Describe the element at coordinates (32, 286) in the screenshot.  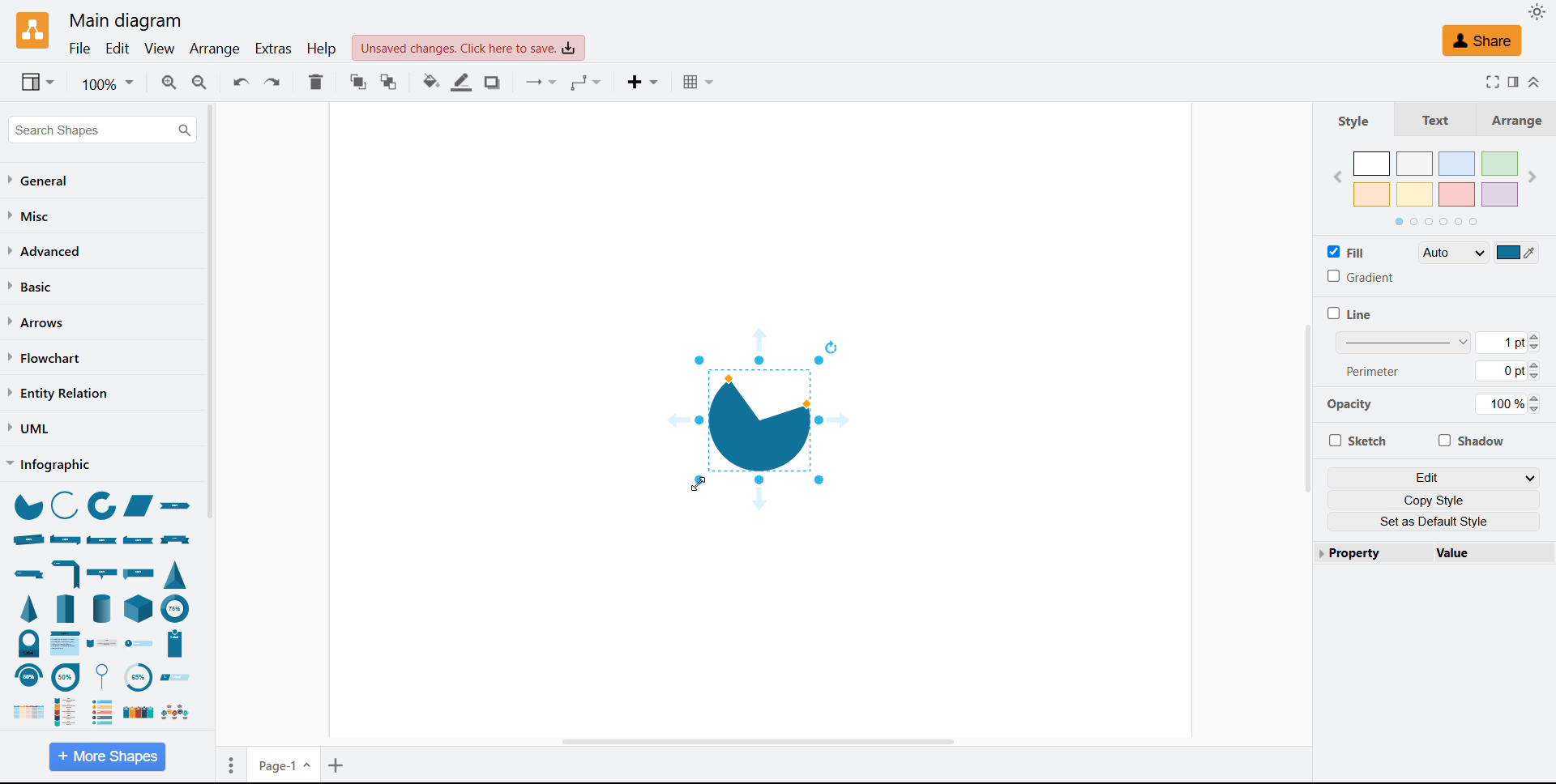
I see `Basic ` at that location.